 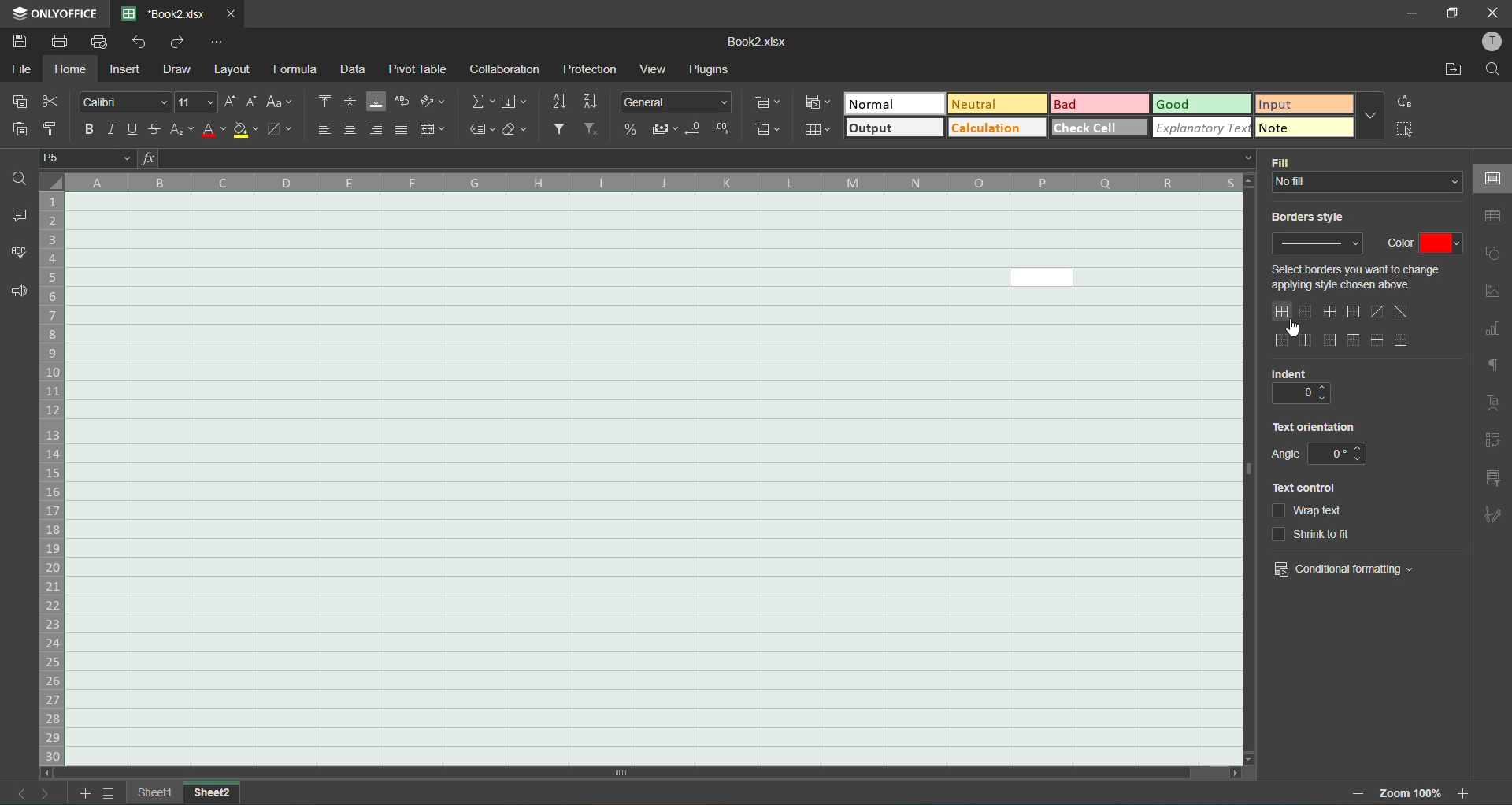 I want to click on row numbers, so click(x=56, y=480).